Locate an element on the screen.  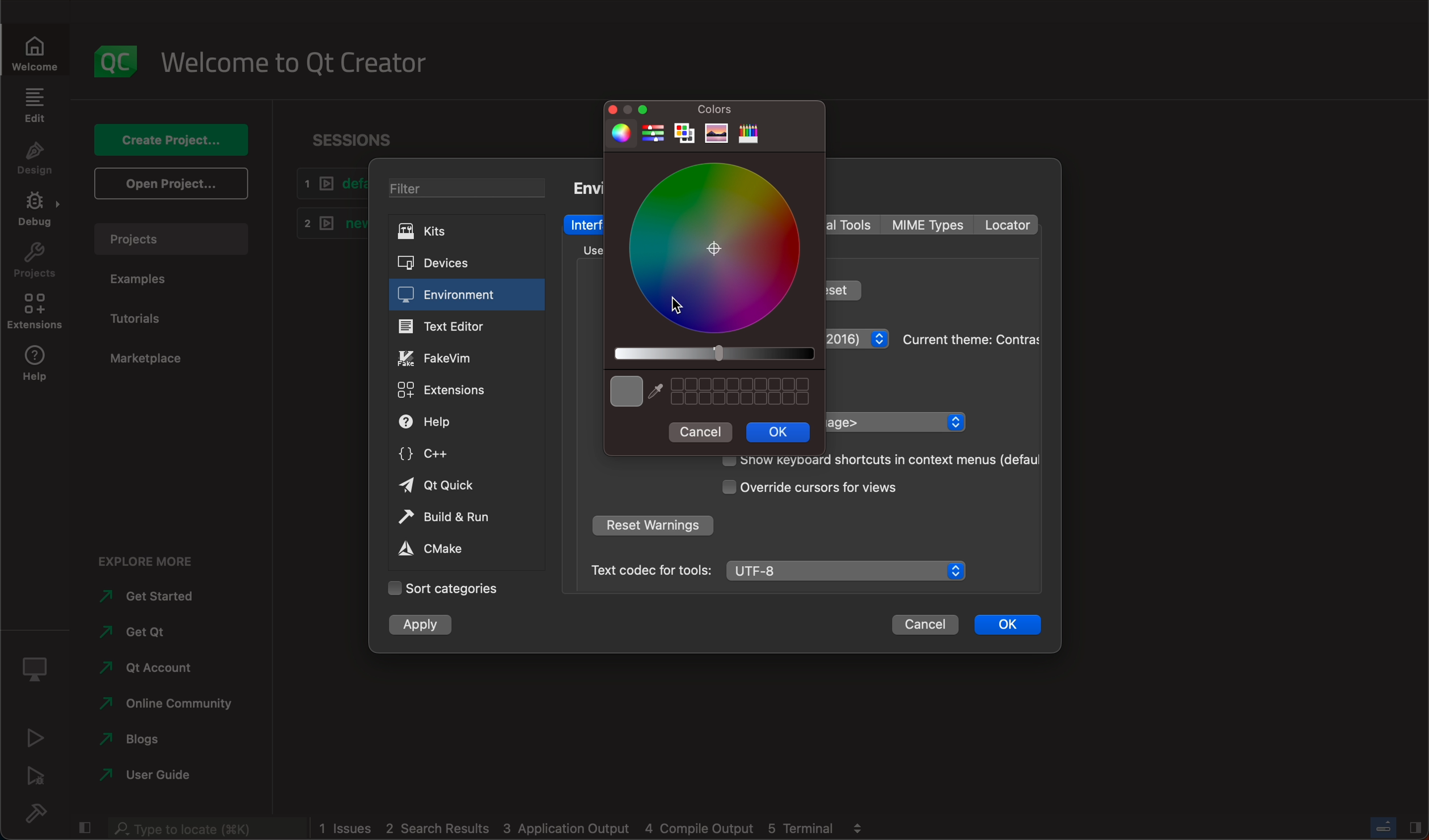
apply is located at coordinates (425, 624).